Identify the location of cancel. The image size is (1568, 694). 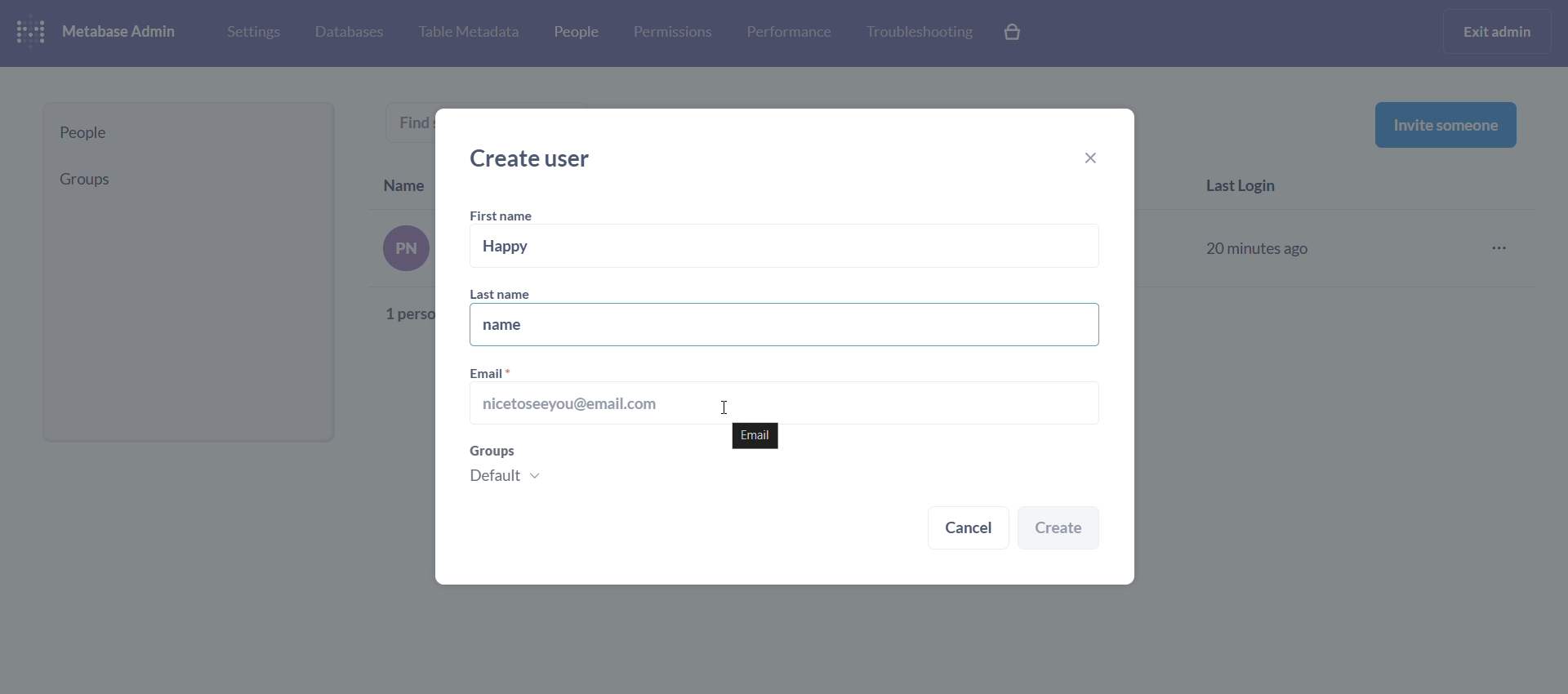
(969, 530).